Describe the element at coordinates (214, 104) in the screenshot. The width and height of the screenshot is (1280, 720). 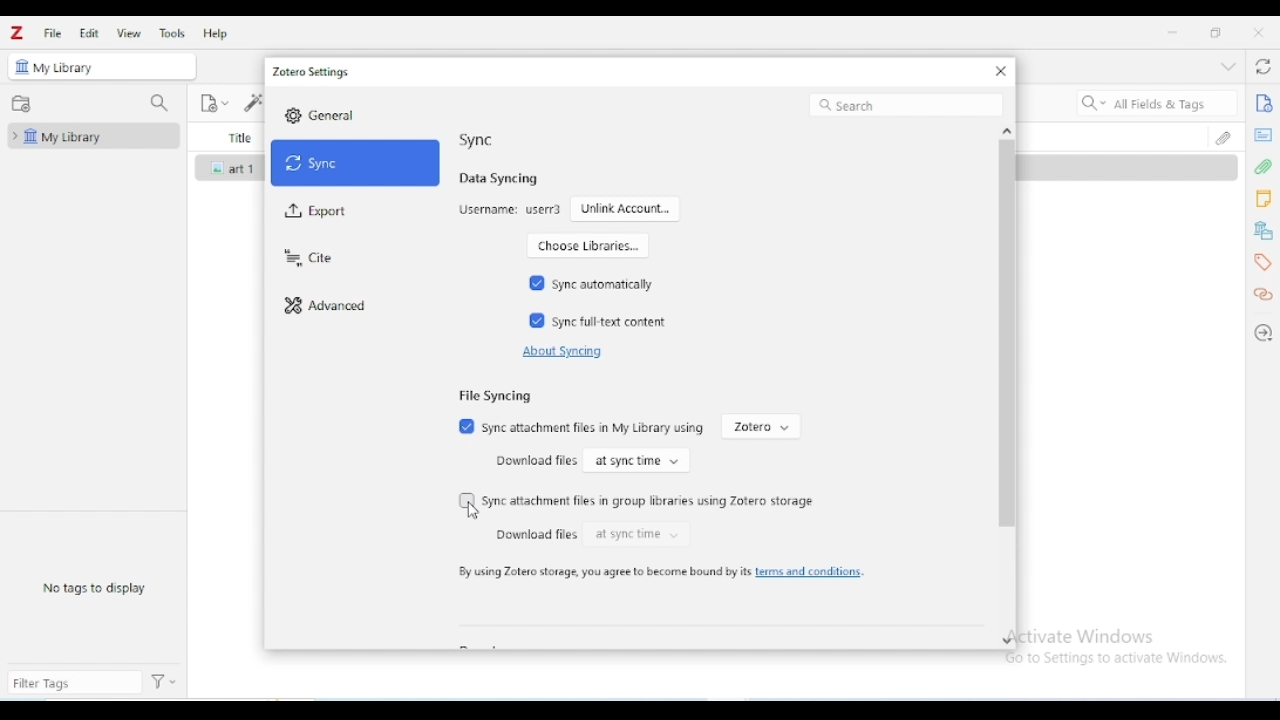
I see `new item` at that location.